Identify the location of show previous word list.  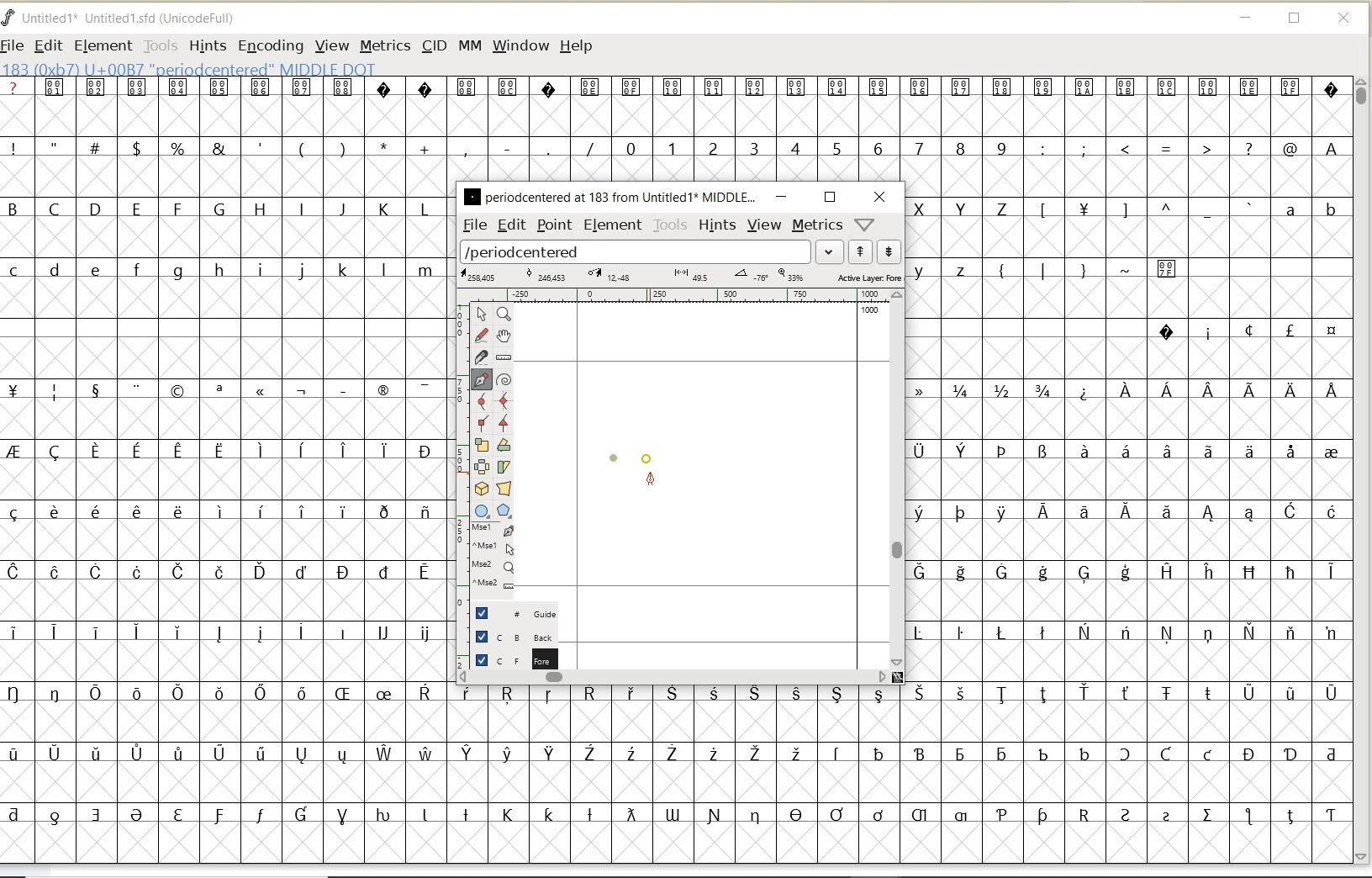
(862, 252).